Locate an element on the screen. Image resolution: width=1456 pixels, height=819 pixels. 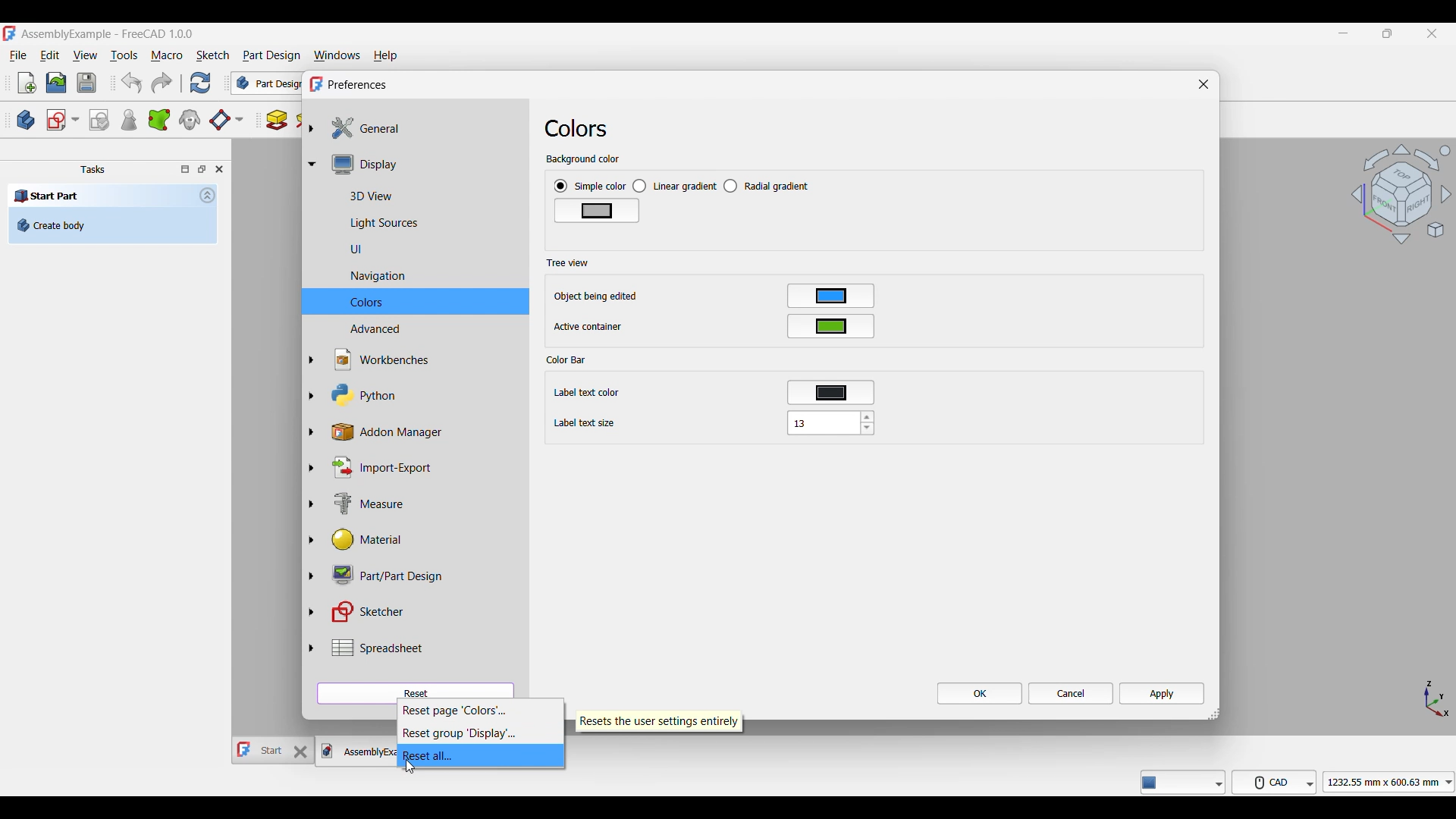
Reset all highlighted is located at coordinates (481, 755).